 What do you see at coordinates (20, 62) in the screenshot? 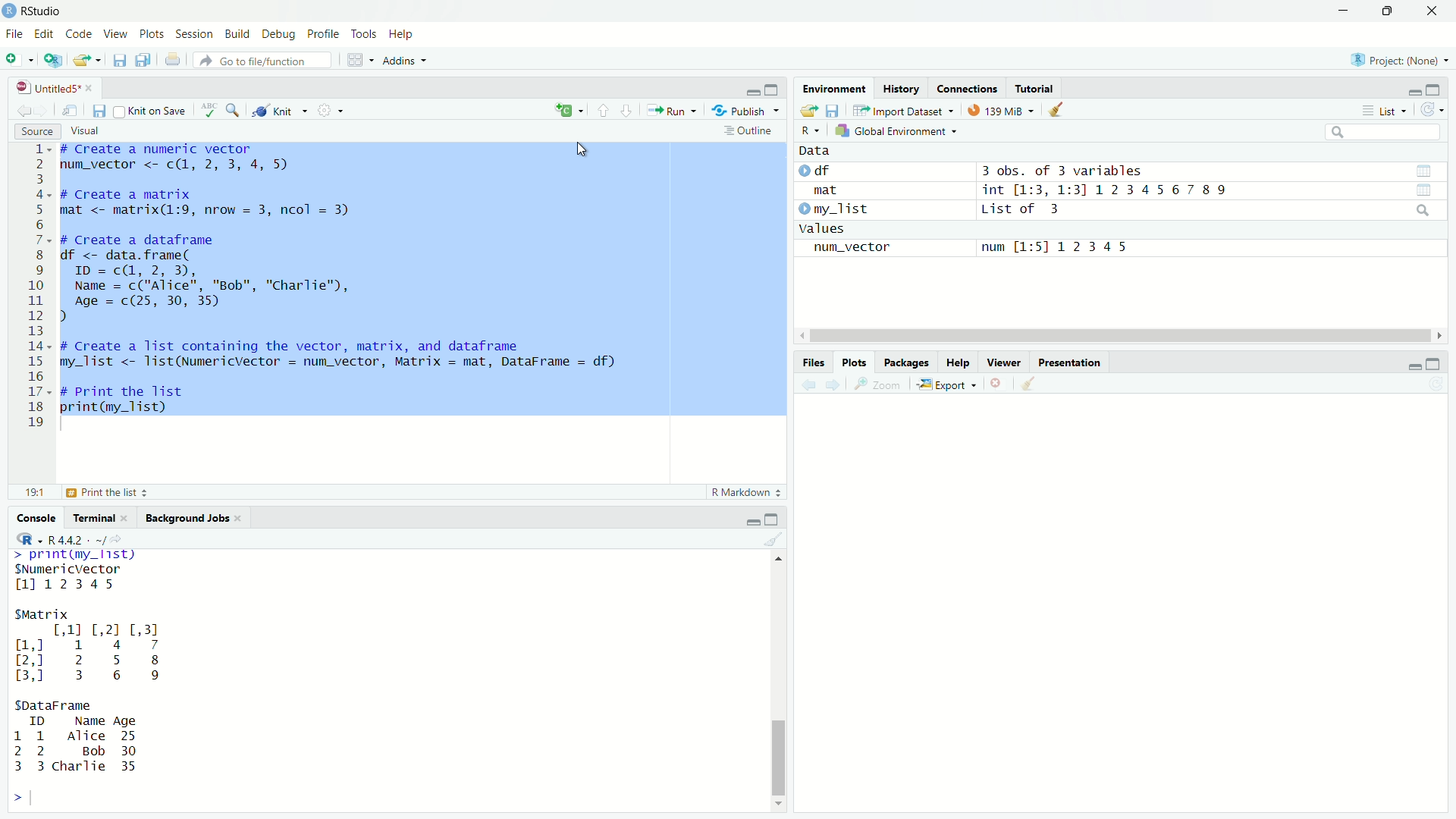
I see `add` at bounding box center [20, 62].